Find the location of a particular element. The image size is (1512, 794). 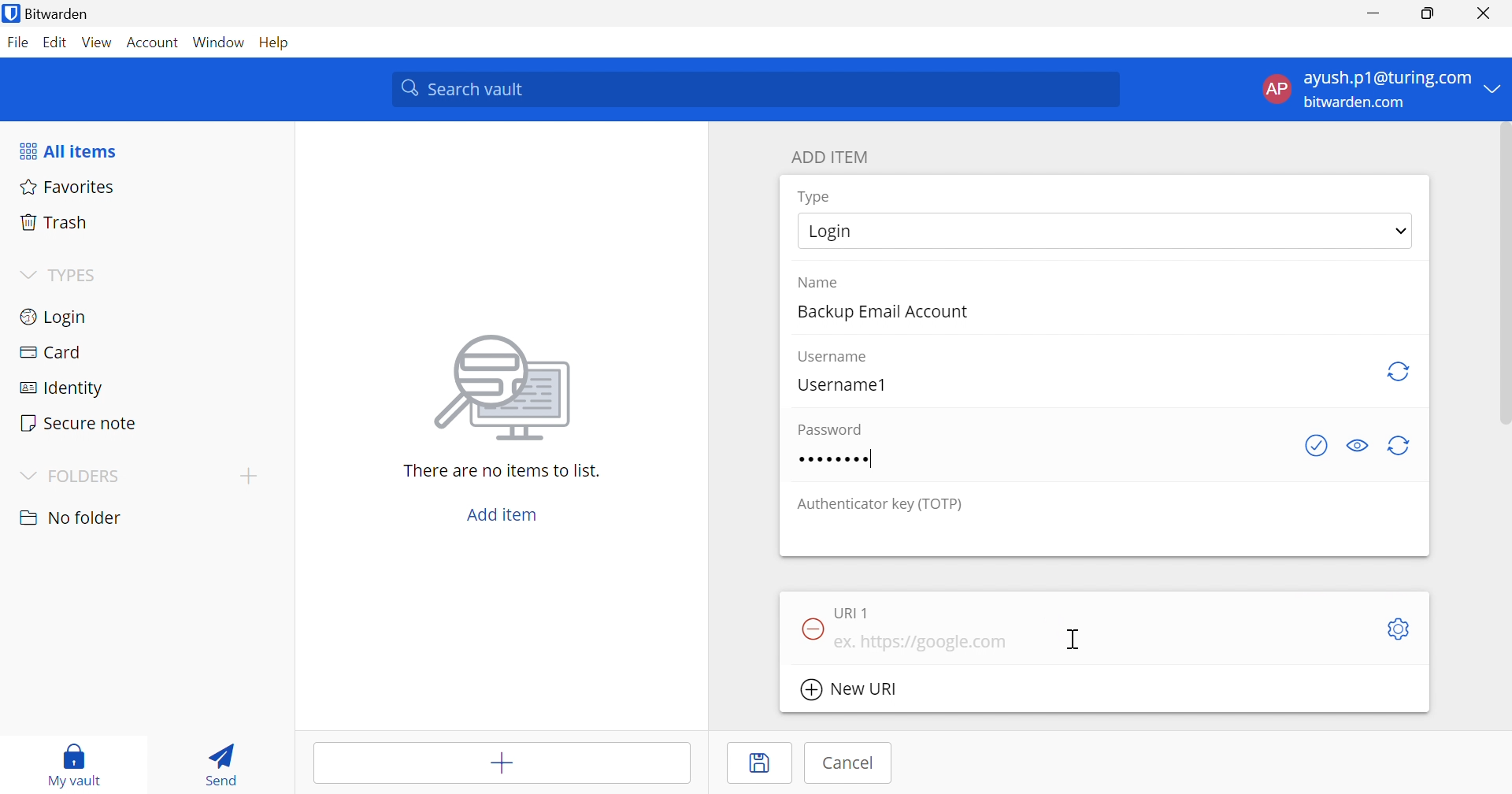

Close is located at coordinates (1484, 13).